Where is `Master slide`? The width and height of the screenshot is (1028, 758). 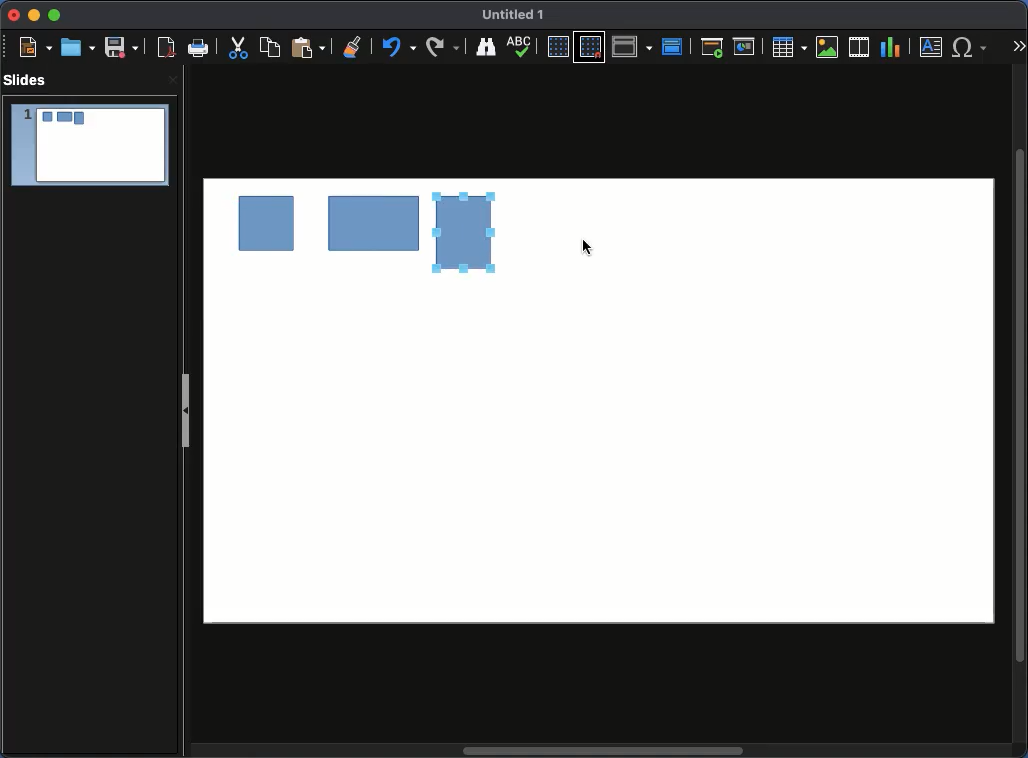 Master slide is located at coordinates (673, 46).